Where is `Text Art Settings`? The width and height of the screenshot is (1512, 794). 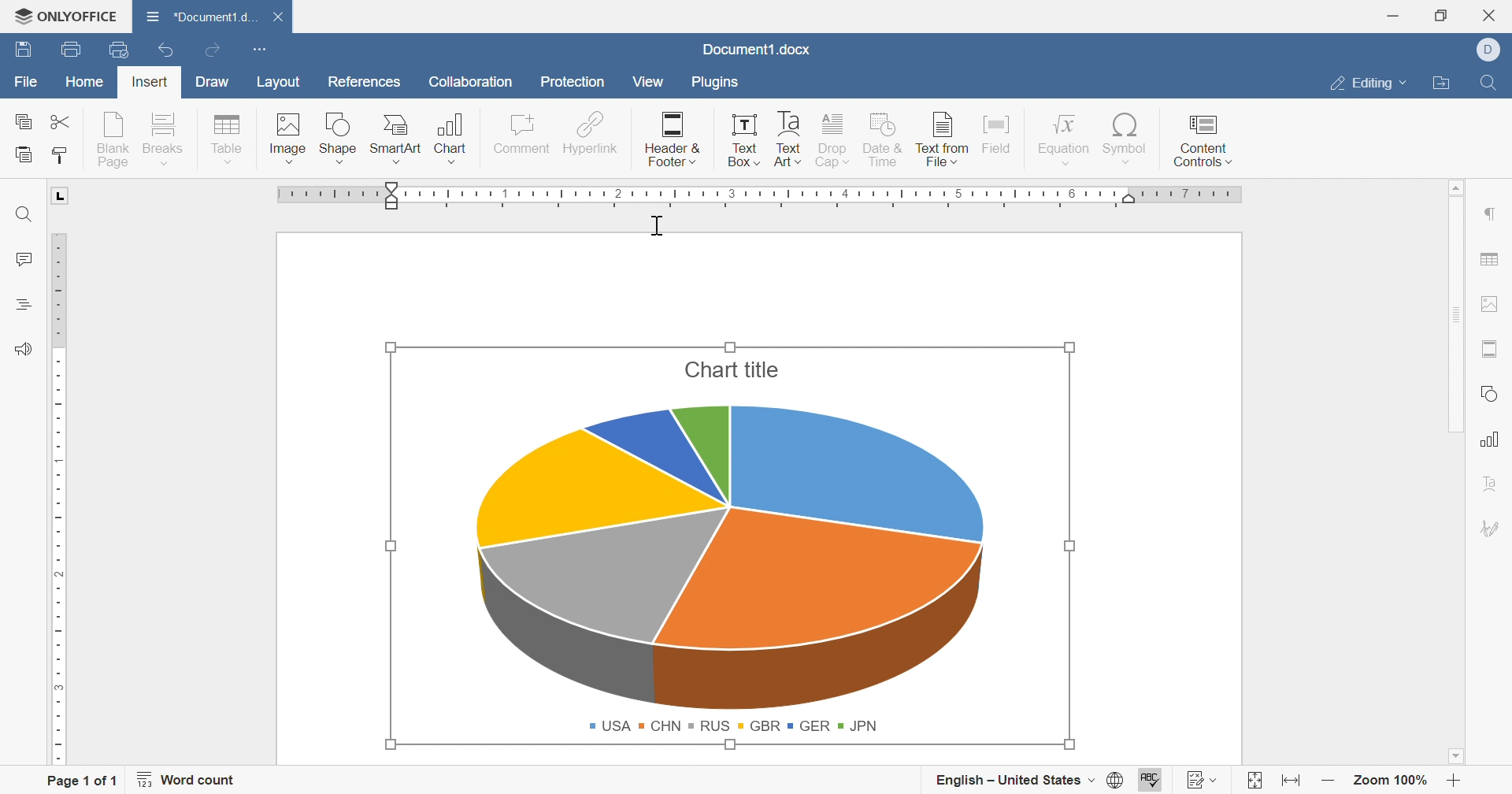 Text Art Settings is located at coordinates (1496, 483).